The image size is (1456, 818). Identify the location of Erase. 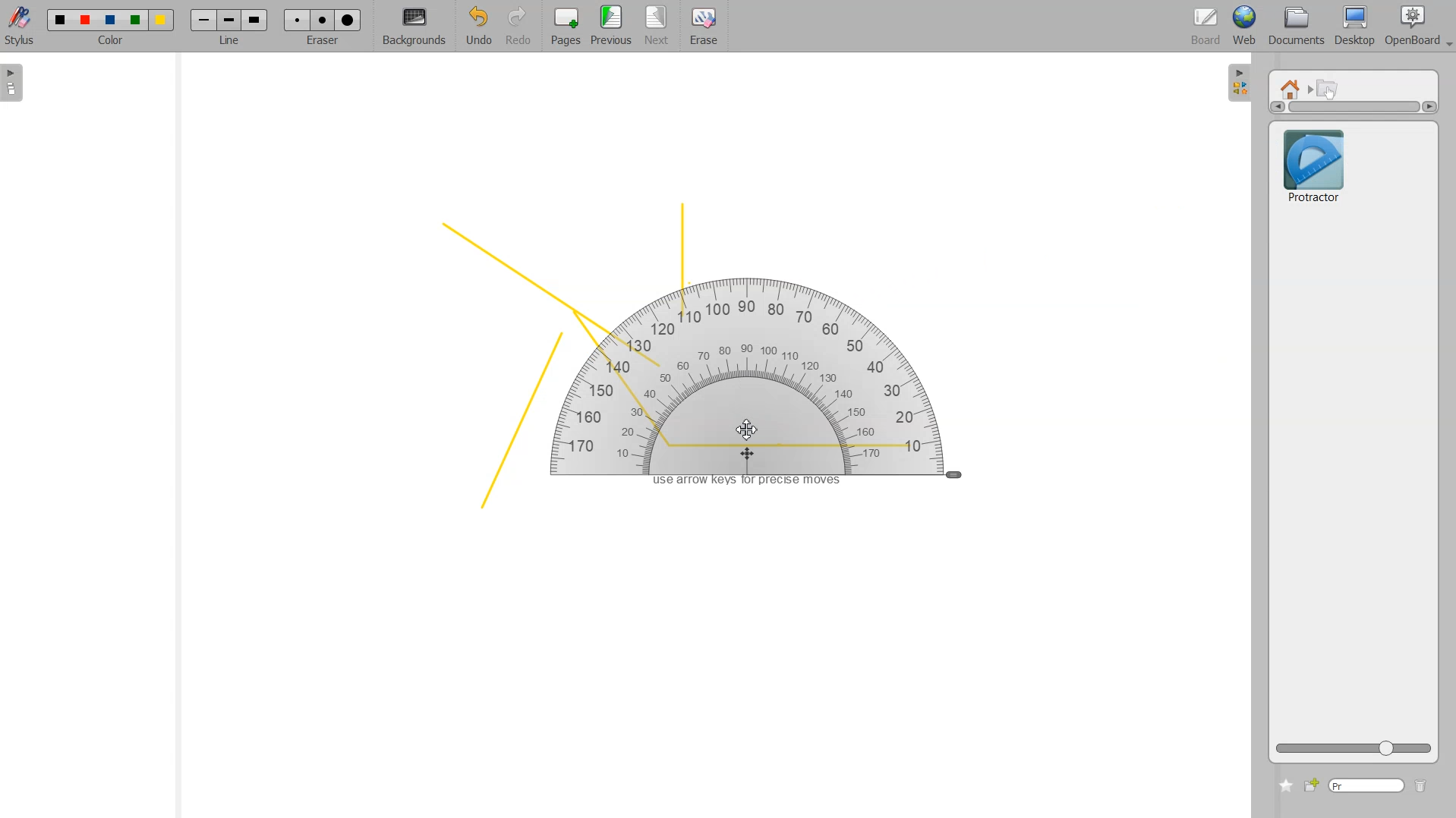
(703, 27).